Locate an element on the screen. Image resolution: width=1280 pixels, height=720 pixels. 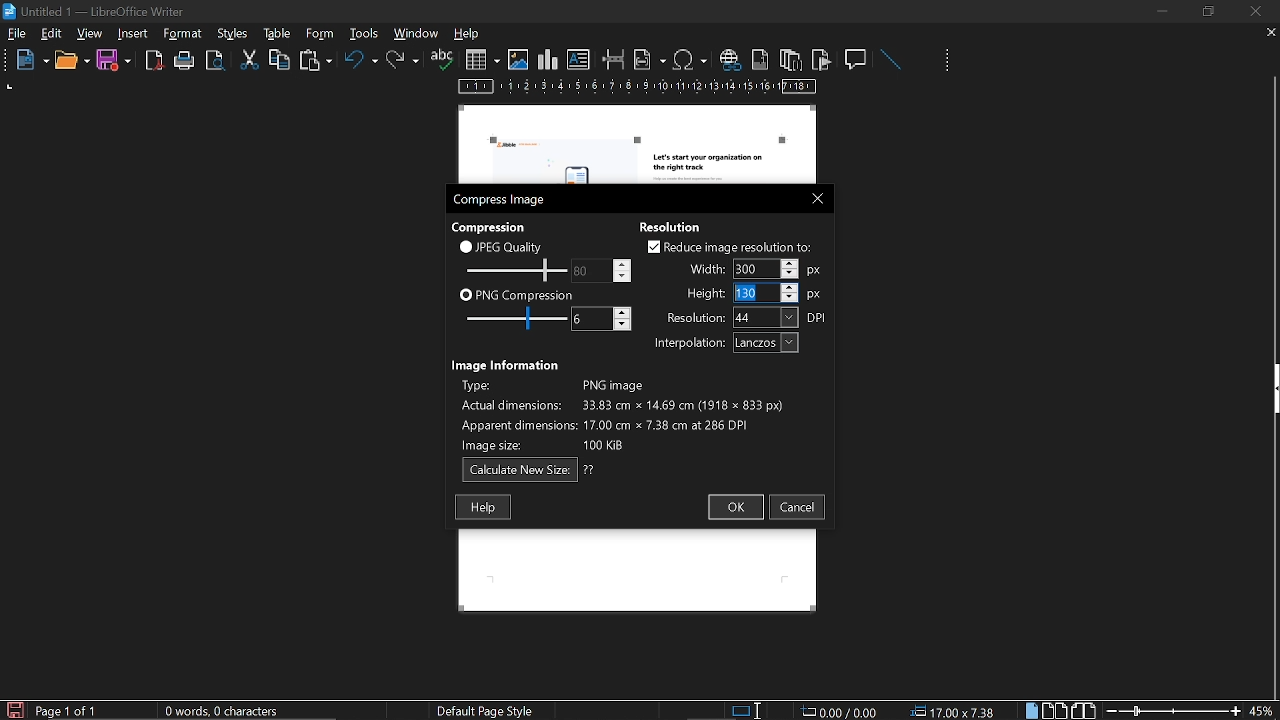
export as pdf is located at coordinates (155, 61).